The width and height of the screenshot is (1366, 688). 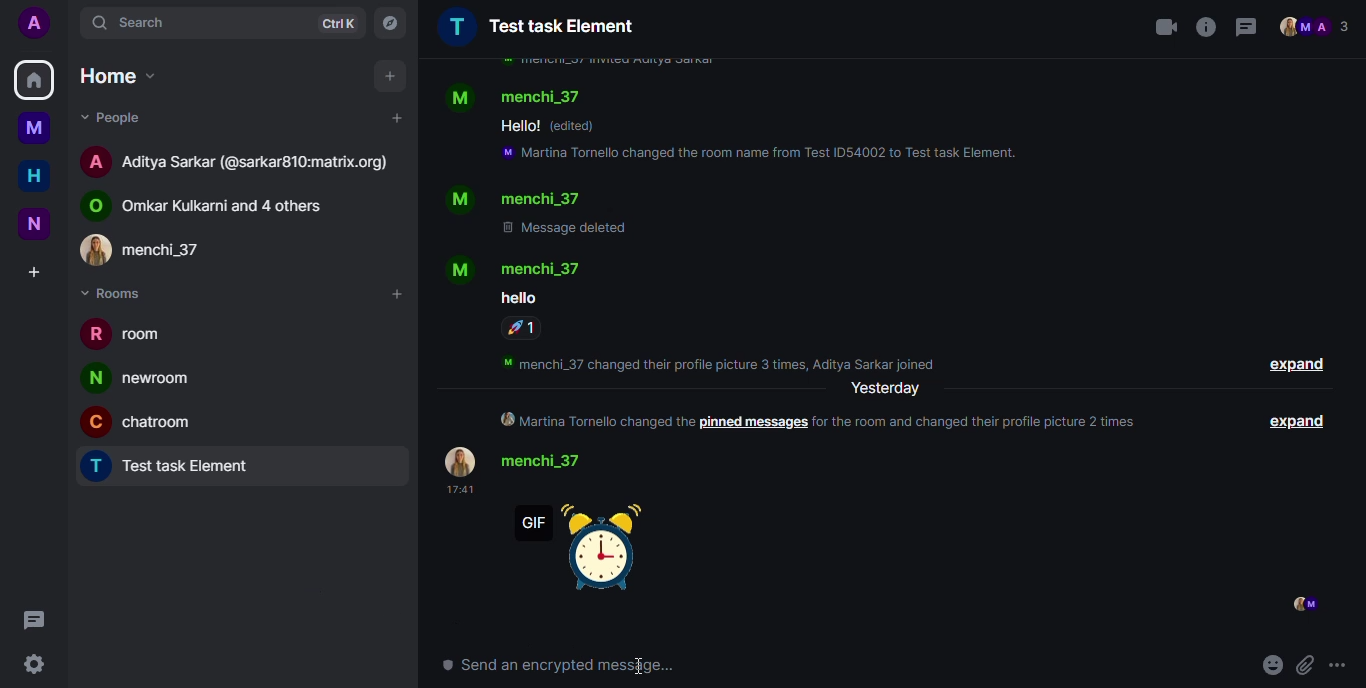 What do you see at coordinates (1296, 366) in the screenshot?
I see `expand` at bounding box center [1296, 366].